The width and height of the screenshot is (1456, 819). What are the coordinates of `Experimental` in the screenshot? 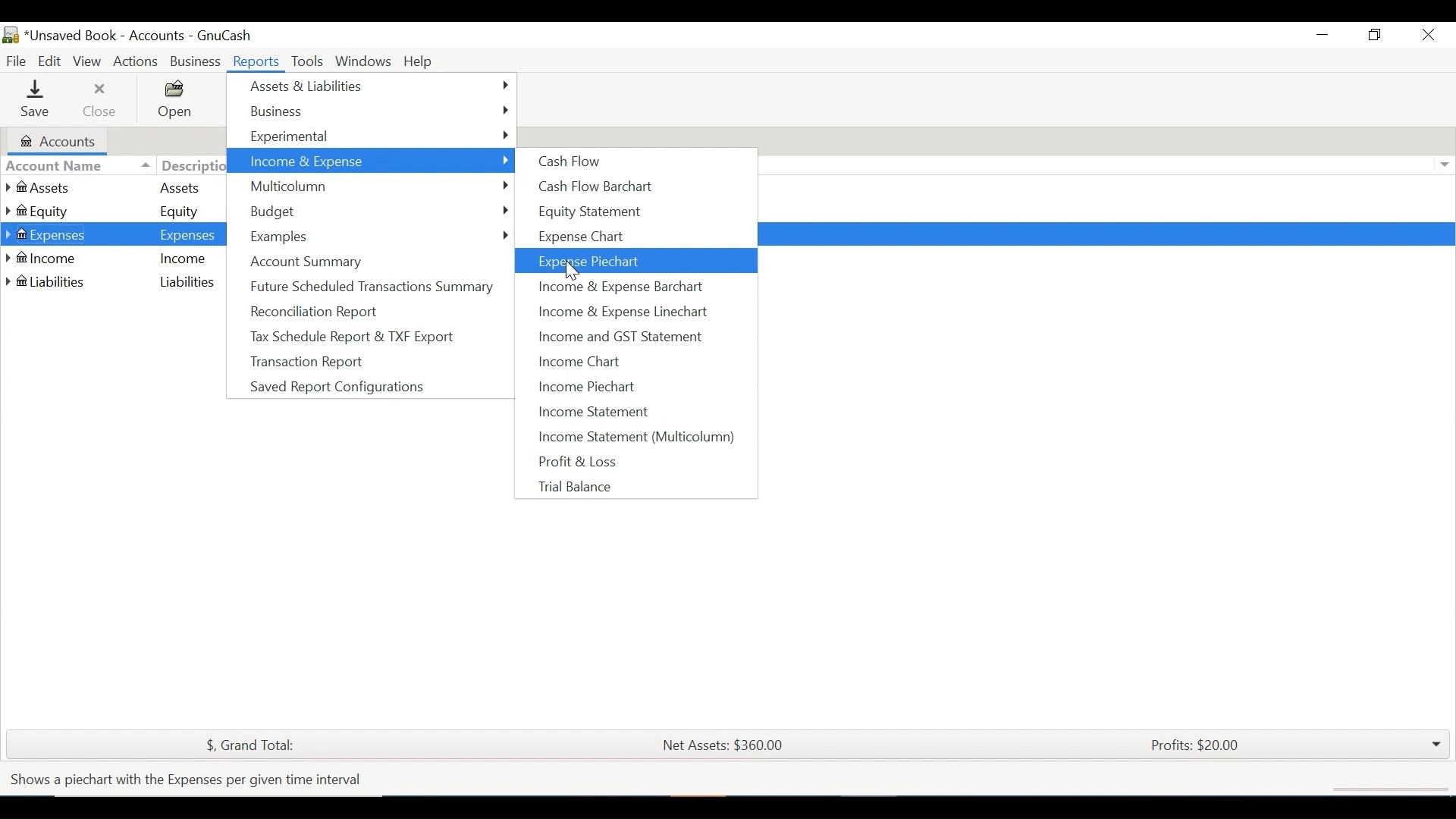 It's located at (372, 135).